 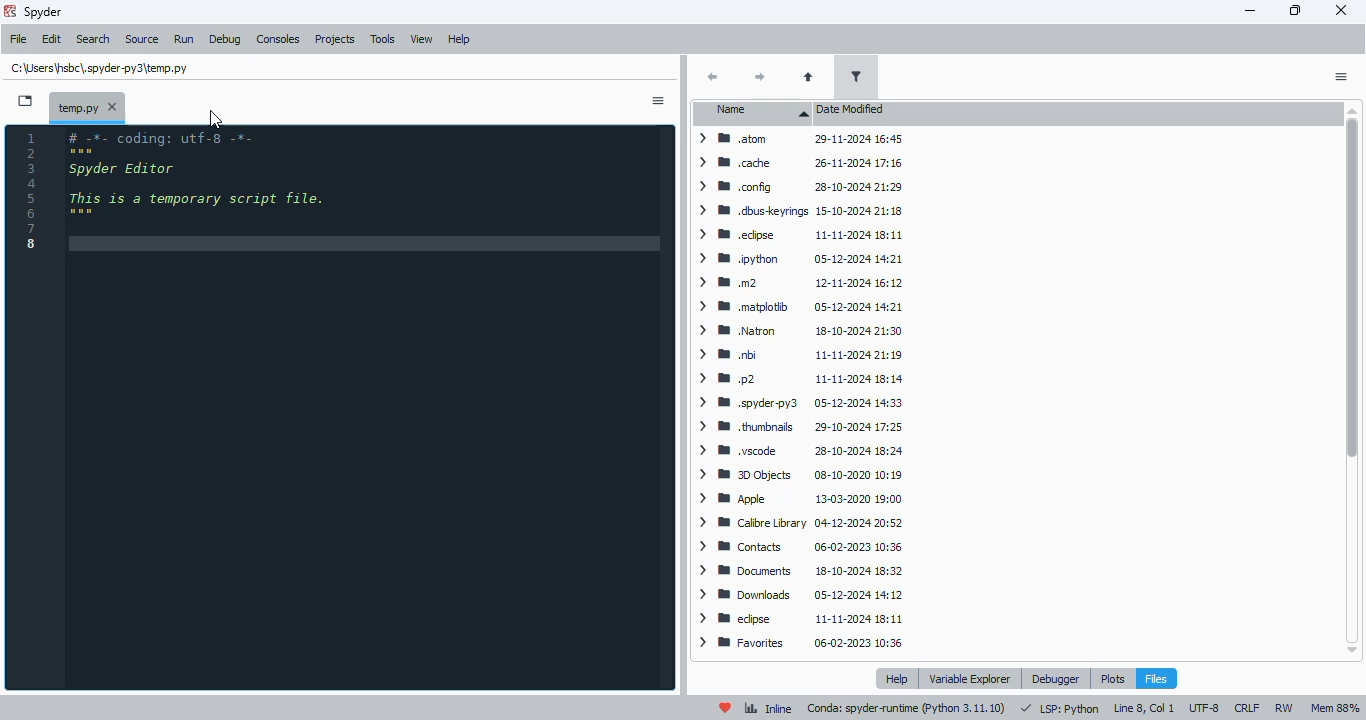 What do you see at coordinates (143, 39) in the screenshot?
I see `source` at bounding box center [143, 39].